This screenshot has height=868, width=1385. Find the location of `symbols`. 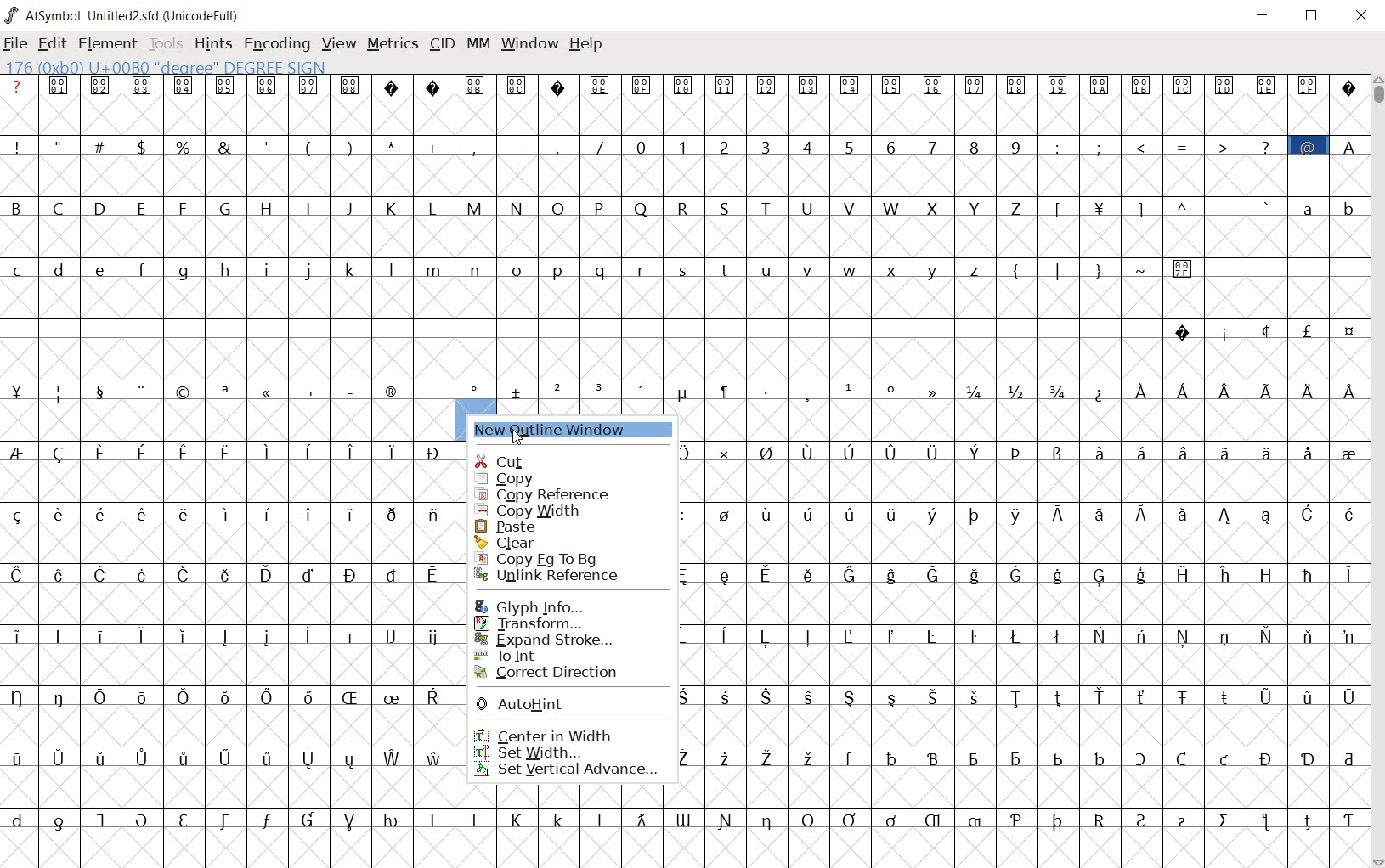

symbols is located at coordinates (1104, 268).